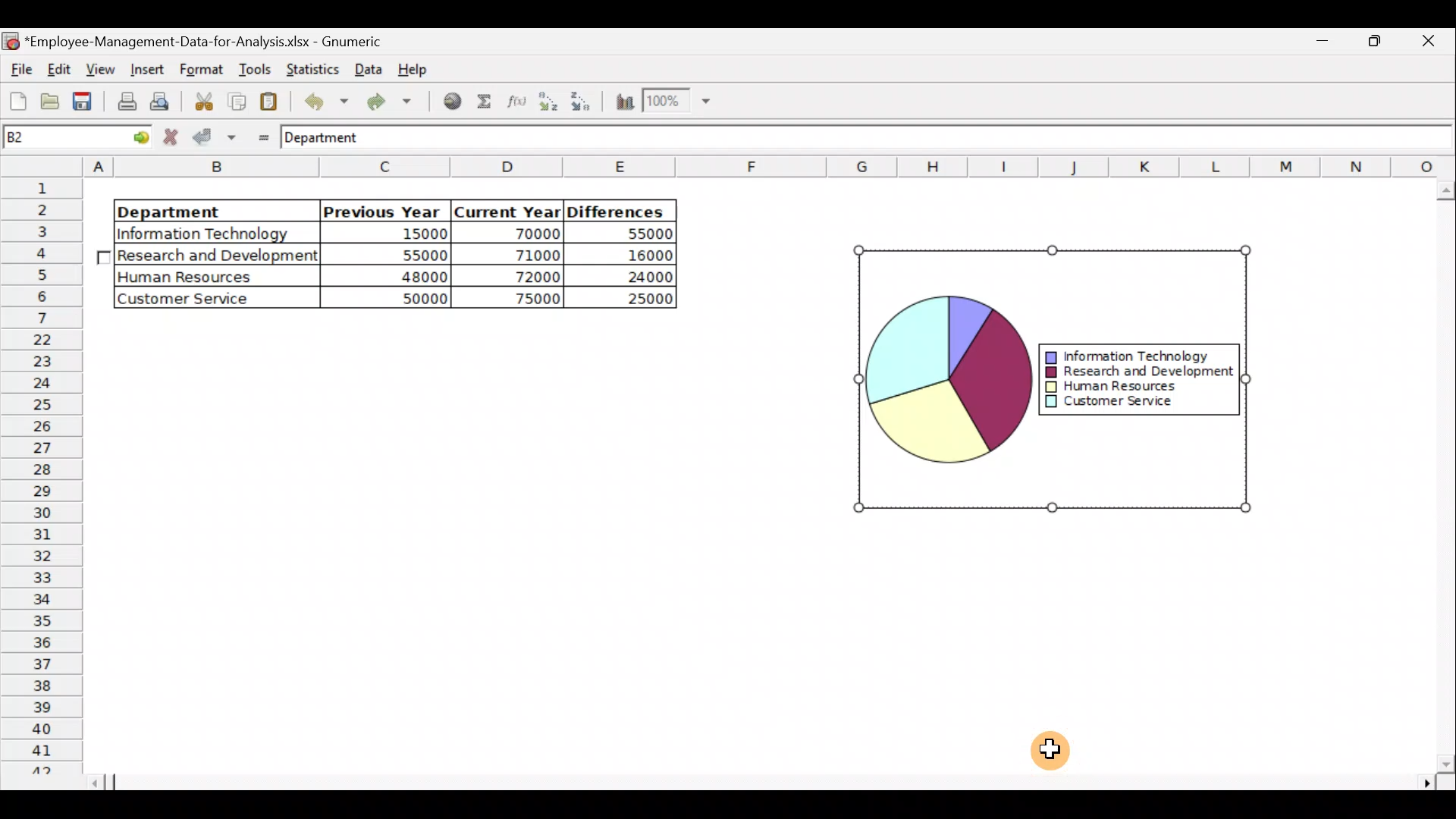  Describe the element at coordinates (453, 102) in the screenshot. I see `Insert hyperlink` at that location.